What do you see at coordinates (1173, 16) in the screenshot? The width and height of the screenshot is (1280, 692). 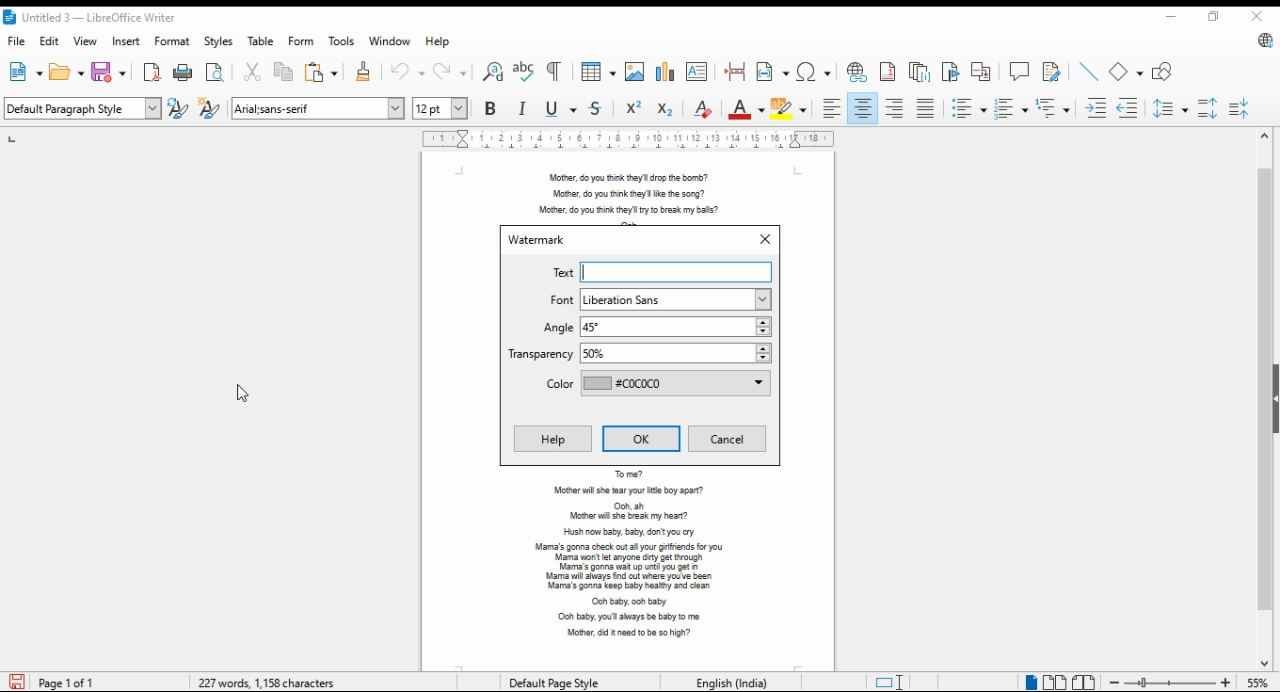 I see `minimize` at bounding box center [1173, 16].